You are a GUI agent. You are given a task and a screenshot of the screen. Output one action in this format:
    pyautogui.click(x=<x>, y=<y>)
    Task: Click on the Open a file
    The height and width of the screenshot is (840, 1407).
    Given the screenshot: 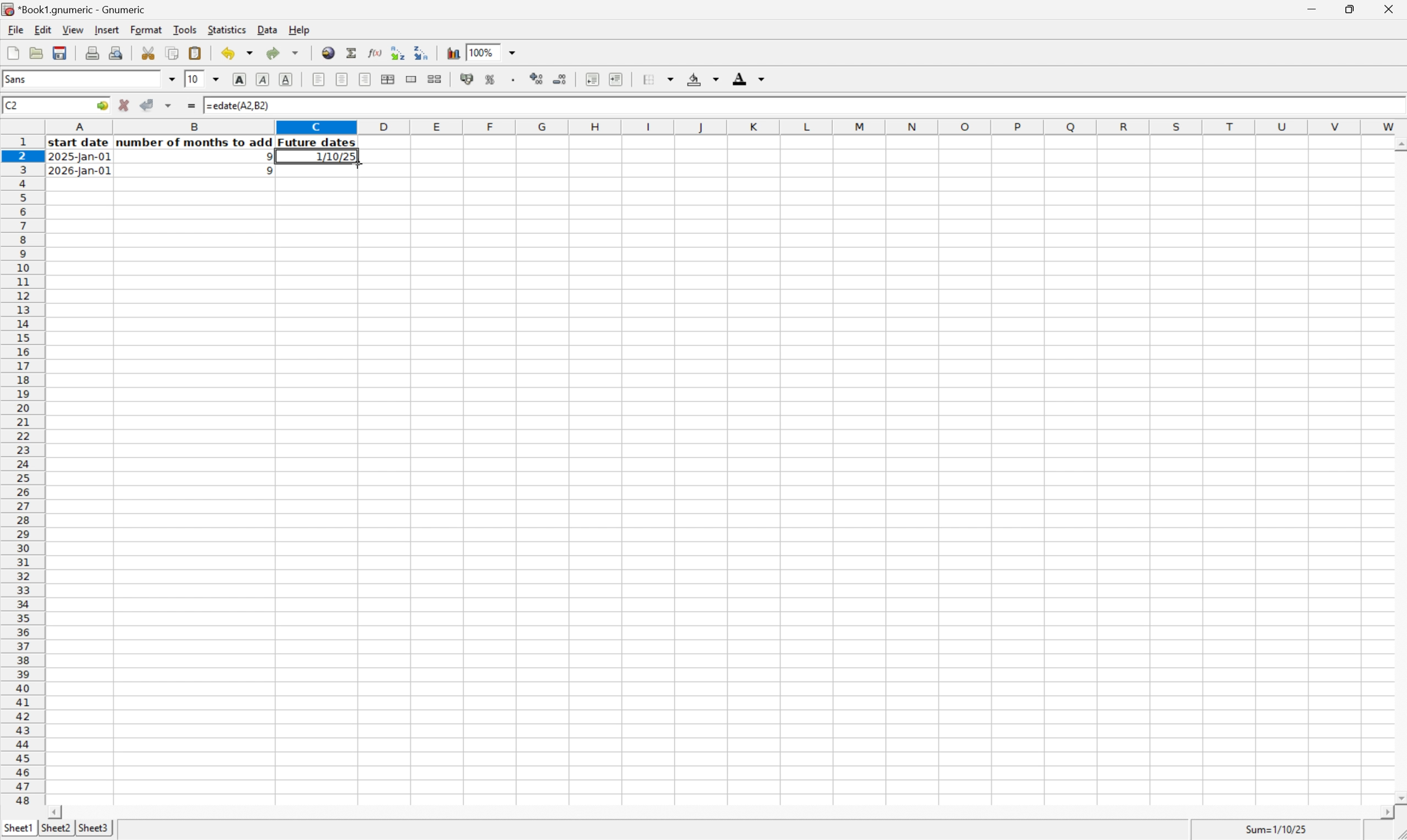 What is the action you would take?
    pyautogui.click(x=35, y=53)
    